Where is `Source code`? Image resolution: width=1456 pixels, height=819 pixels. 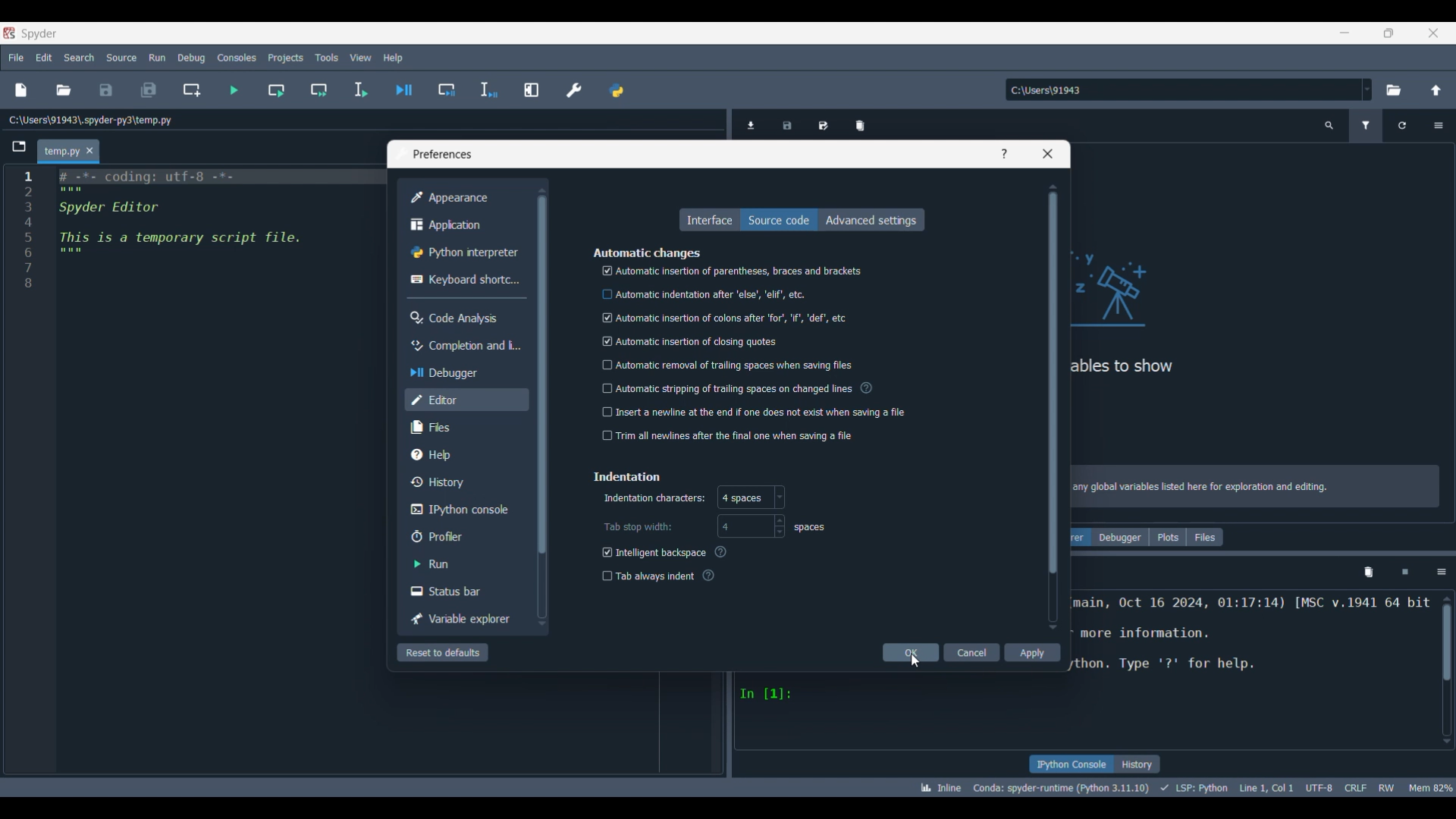 Source code is located at coordinates (779, 220).